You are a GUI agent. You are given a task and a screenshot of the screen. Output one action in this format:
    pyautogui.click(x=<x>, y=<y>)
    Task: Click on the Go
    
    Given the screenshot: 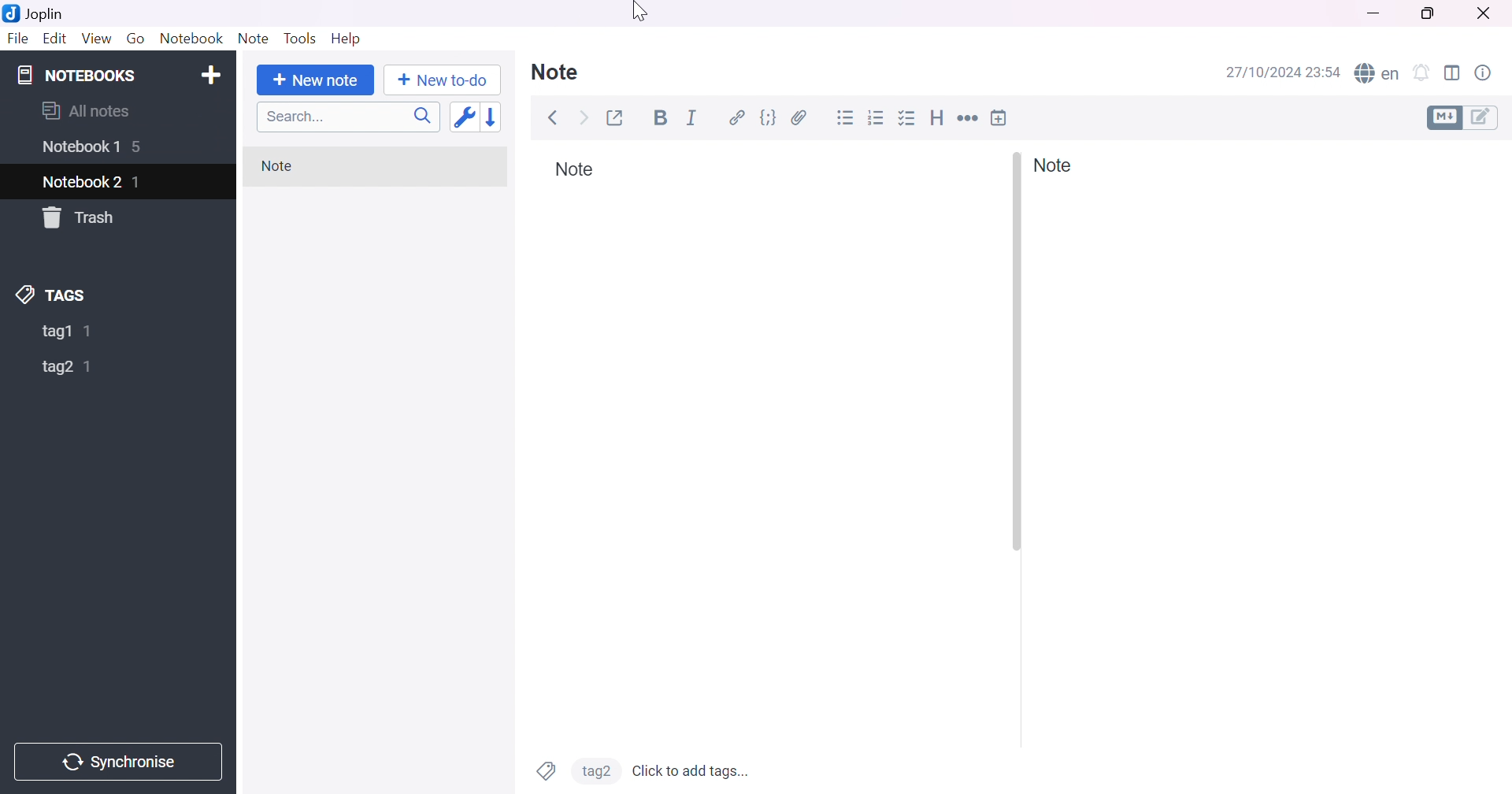 What is the action you would take?
    pyautogui.click(x=136, y=42)
    